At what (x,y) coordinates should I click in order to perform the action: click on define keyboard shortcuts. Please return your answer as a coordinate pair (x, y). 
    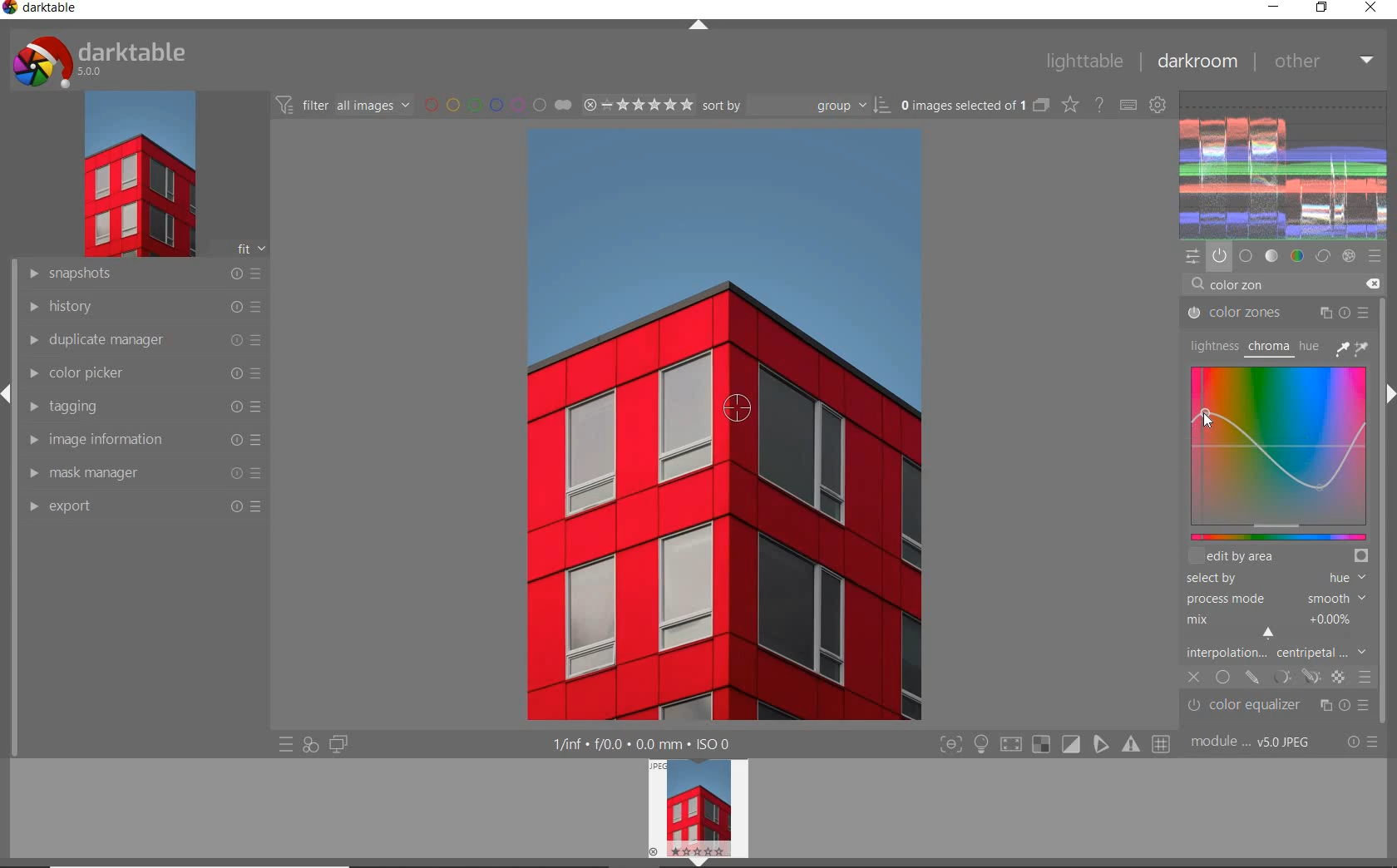
    Looking at the image, I should click on (1129, 105).